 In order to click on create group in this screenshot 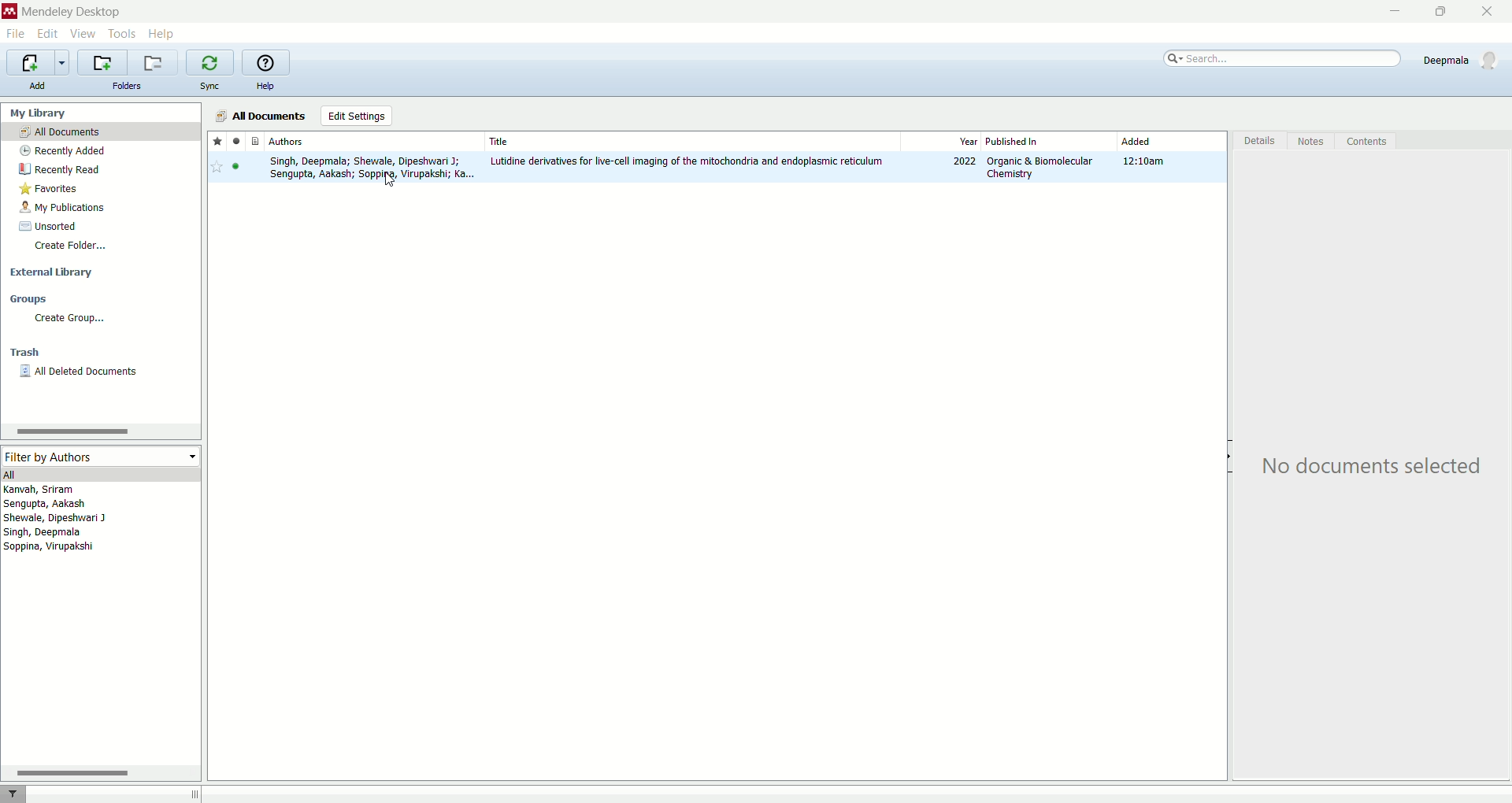, I will do `click(100, 317)`.